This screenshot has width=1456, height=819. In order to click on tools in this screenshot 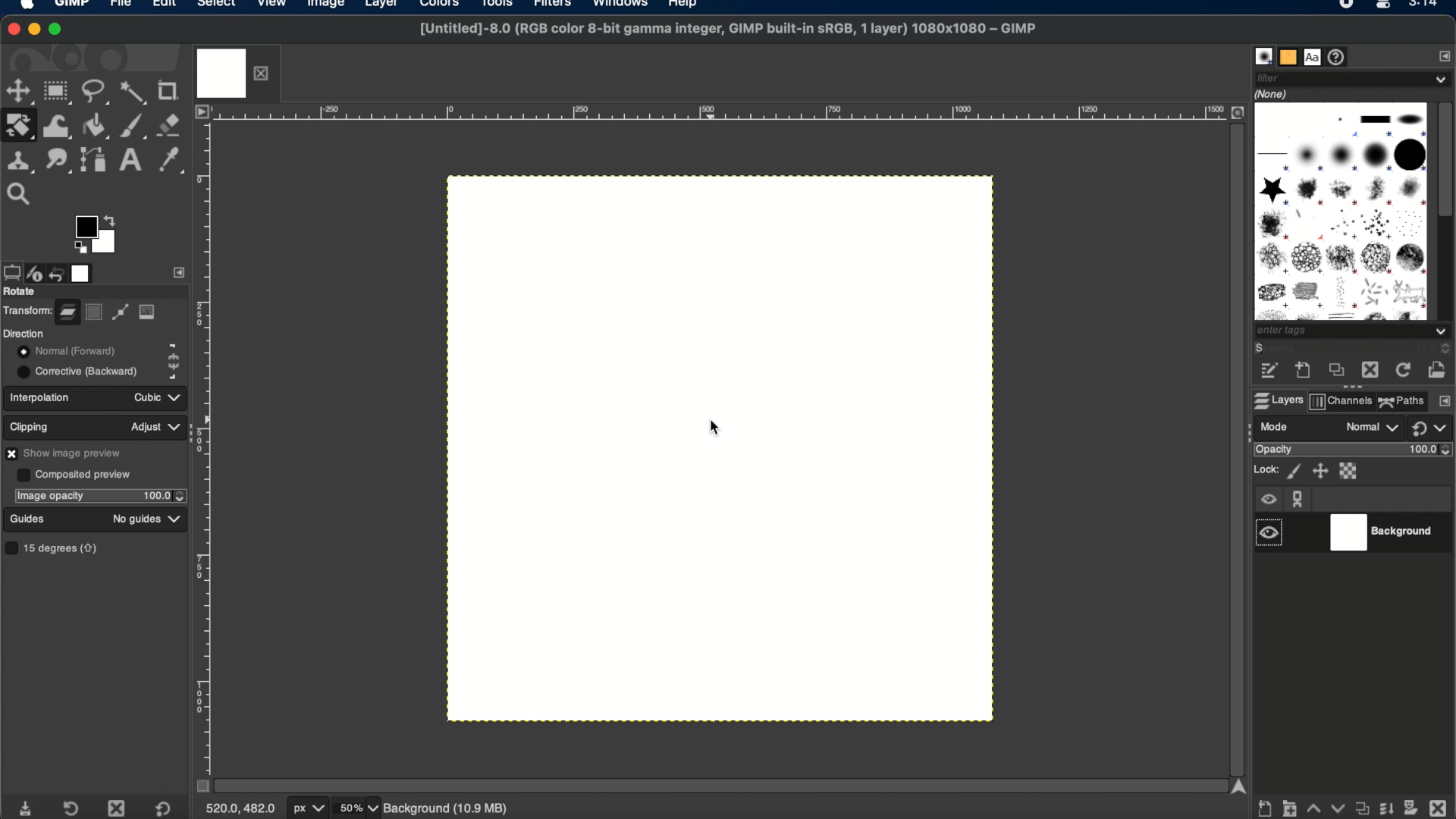, I will do `click(502, 6)`.